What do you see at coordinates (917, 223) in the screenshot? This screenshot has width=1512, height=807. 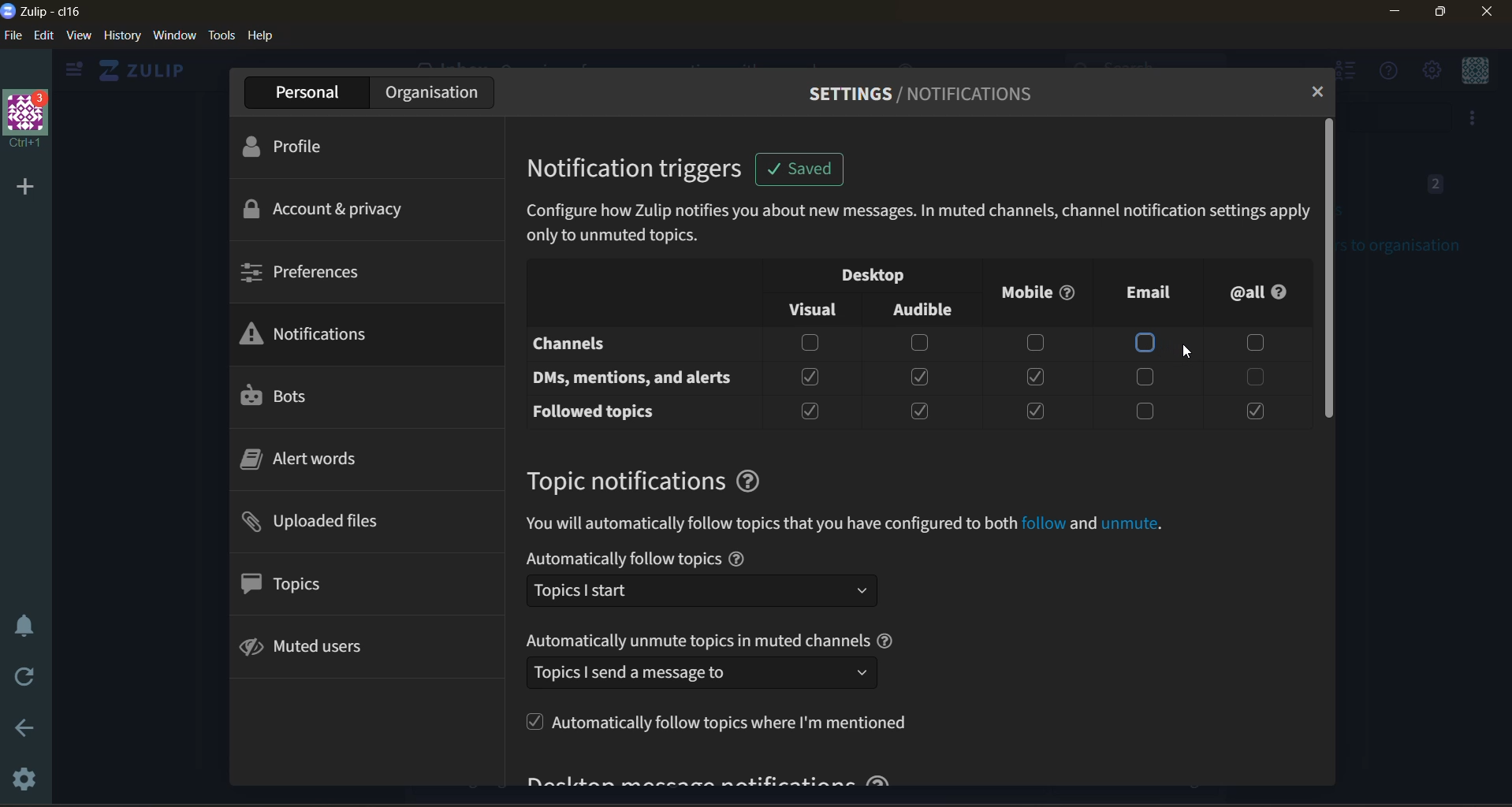 I see `Descriptions ` at bounding box center [917, 223].